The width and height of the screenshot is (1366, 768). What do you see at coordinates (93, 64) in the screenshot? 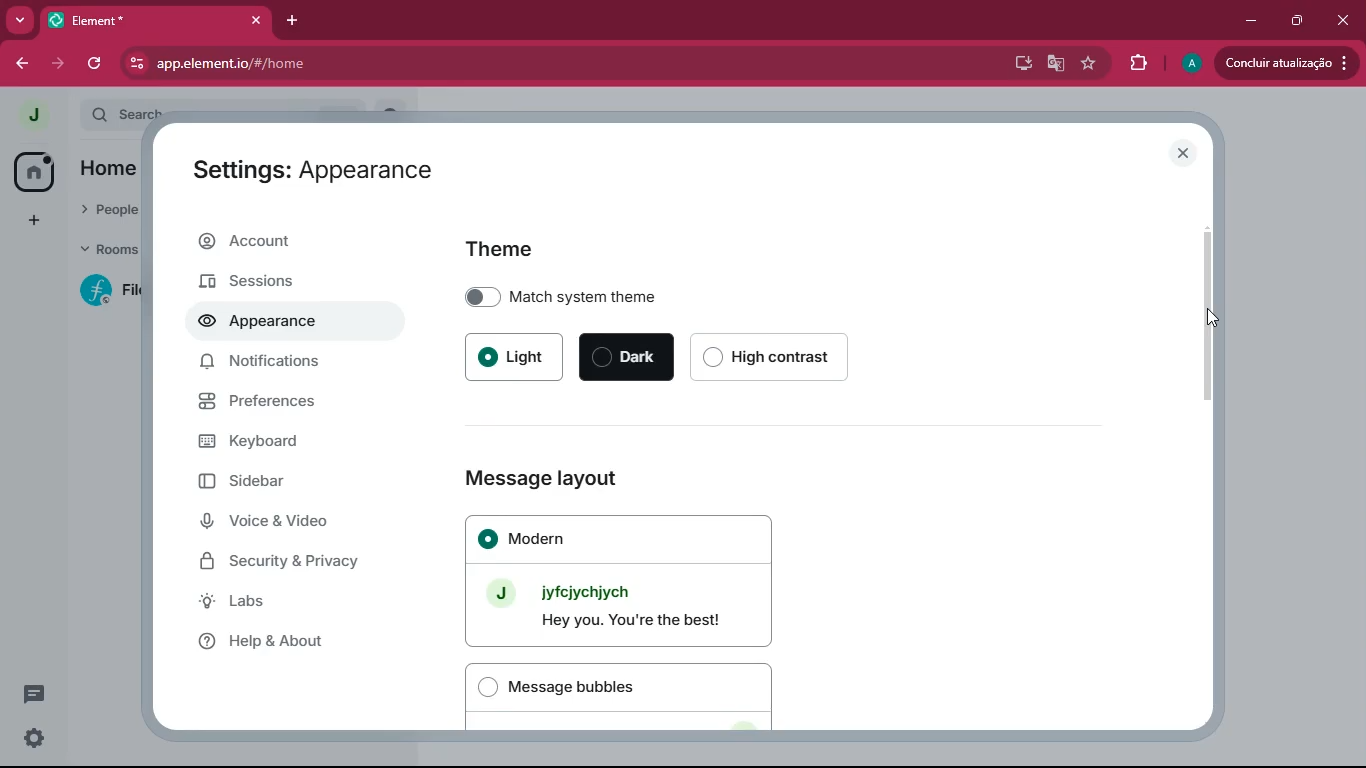
I see `refresh` at bounding box center [93, 64].